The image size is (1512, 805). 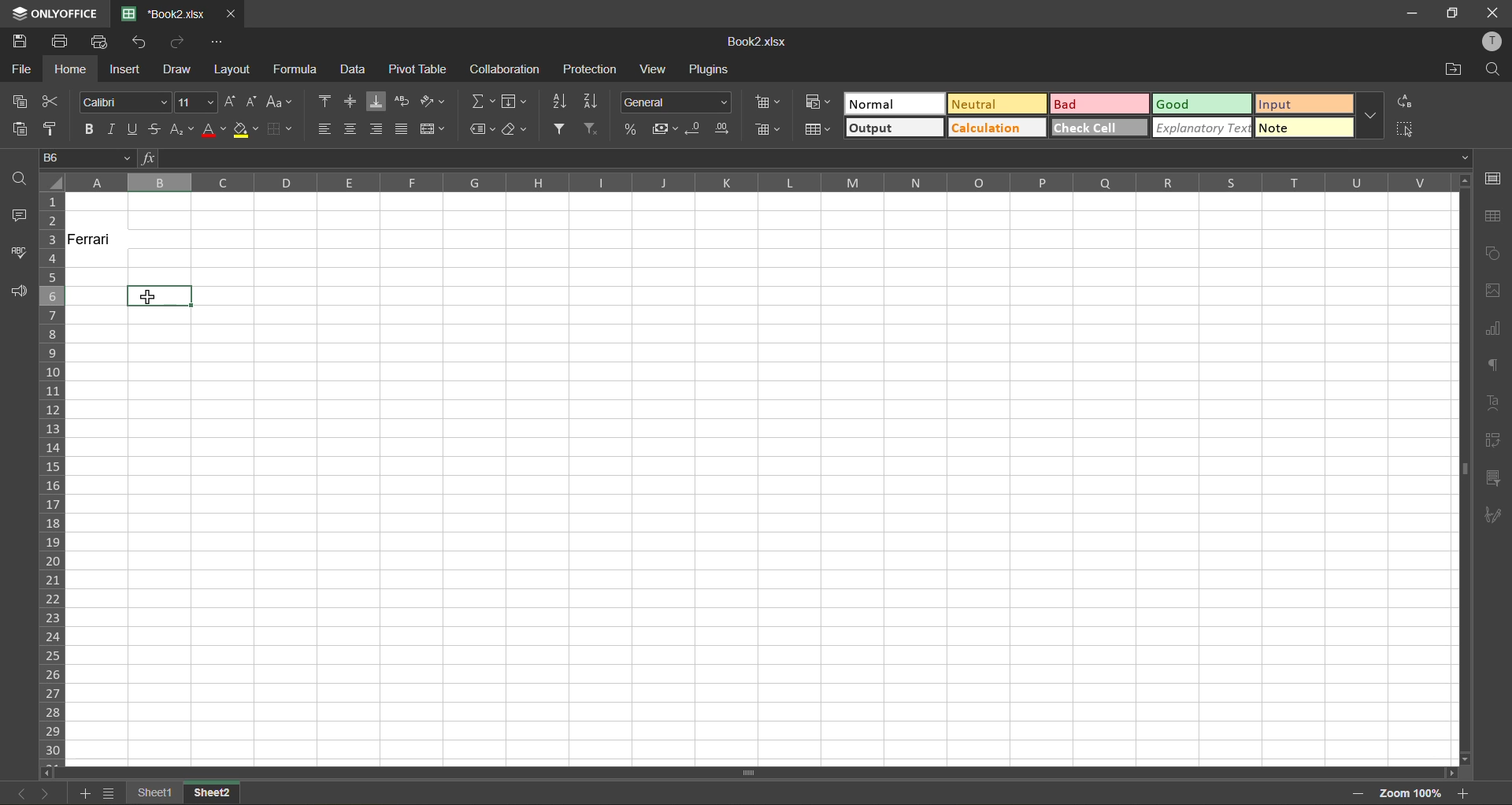 What do you see at coordinates (246, 129) in the screenshot?
I see `fill color` at bounding box center [246, 129].